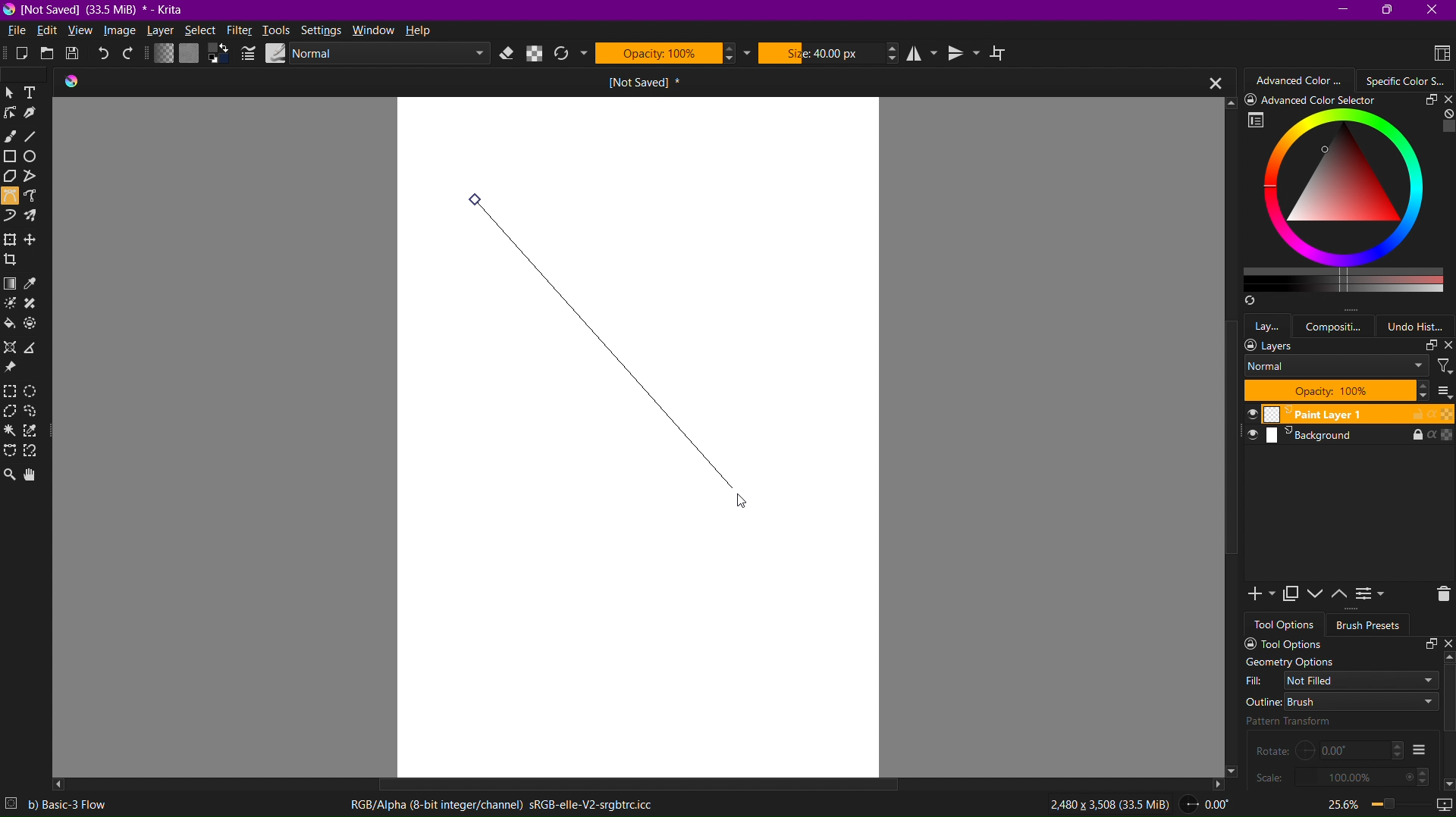 This screenshot has height=817, width=1456. Describe the element at coordinates (1344, 643) in the screenshot. I see `Tool Options` at that location.